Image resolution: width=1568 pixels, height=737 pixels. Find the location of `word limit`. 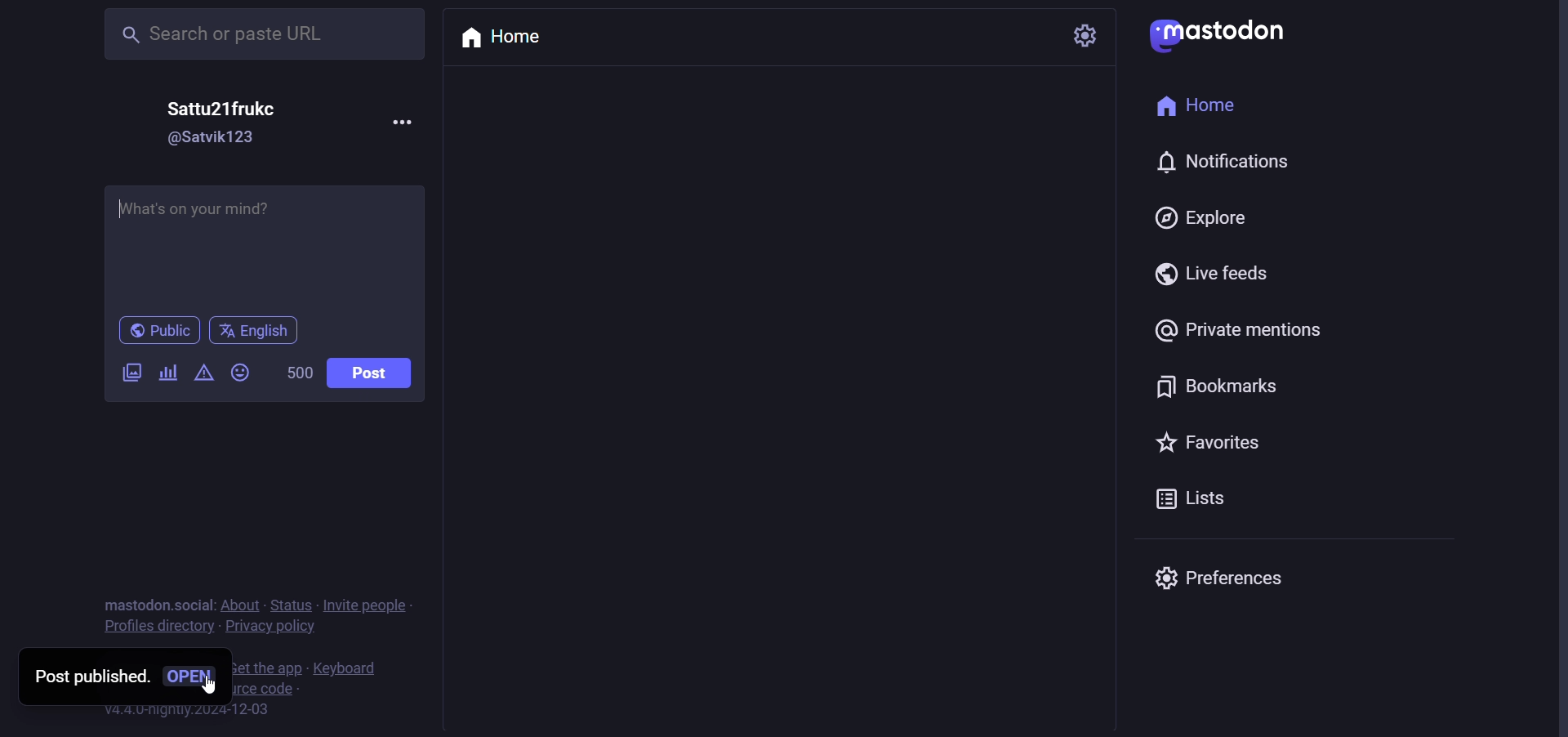

word limit is located at coordinates (294, 374).